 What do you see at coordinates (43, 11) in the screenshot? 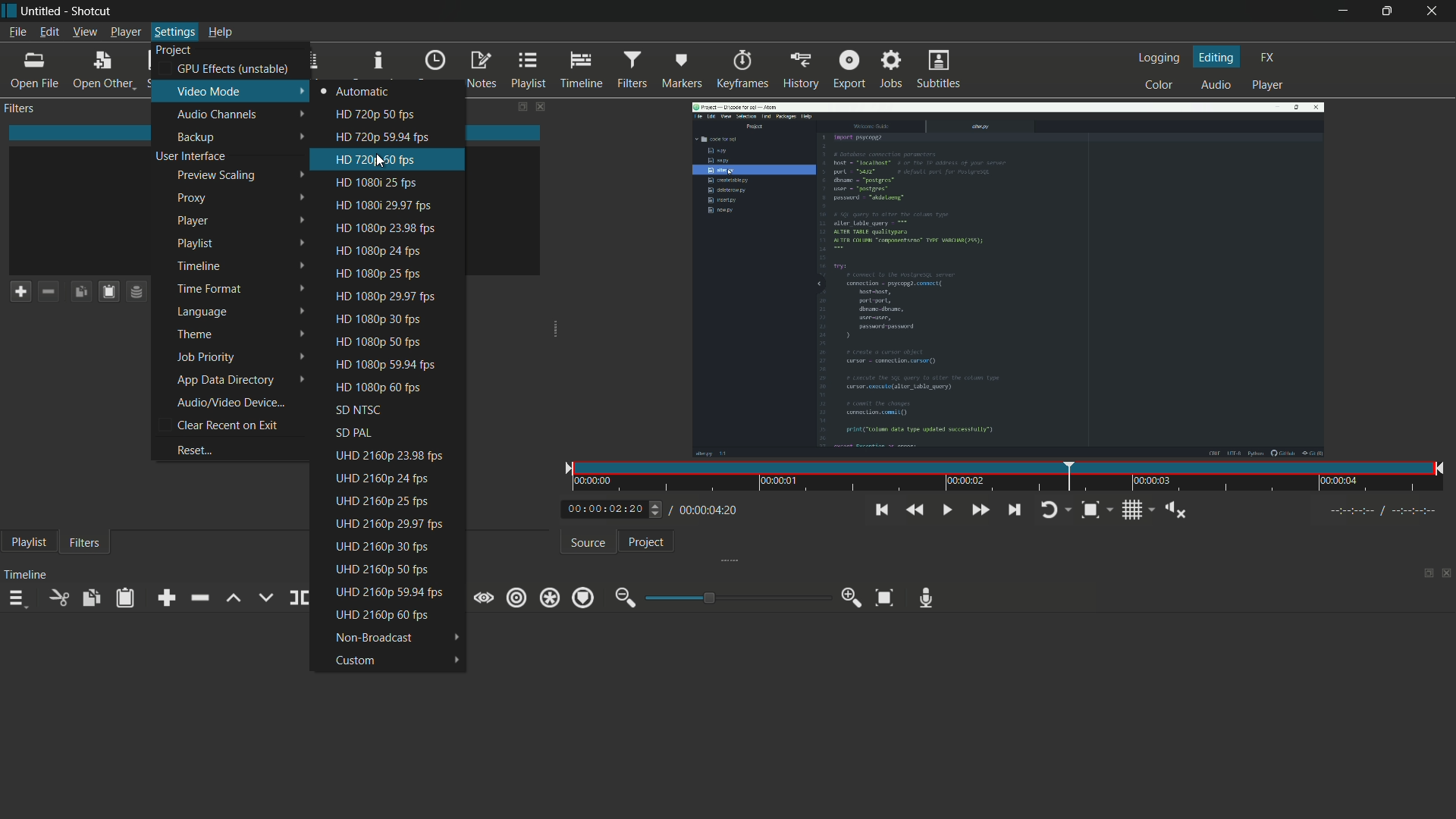
I see `project name` at bounding box center [43, 11].